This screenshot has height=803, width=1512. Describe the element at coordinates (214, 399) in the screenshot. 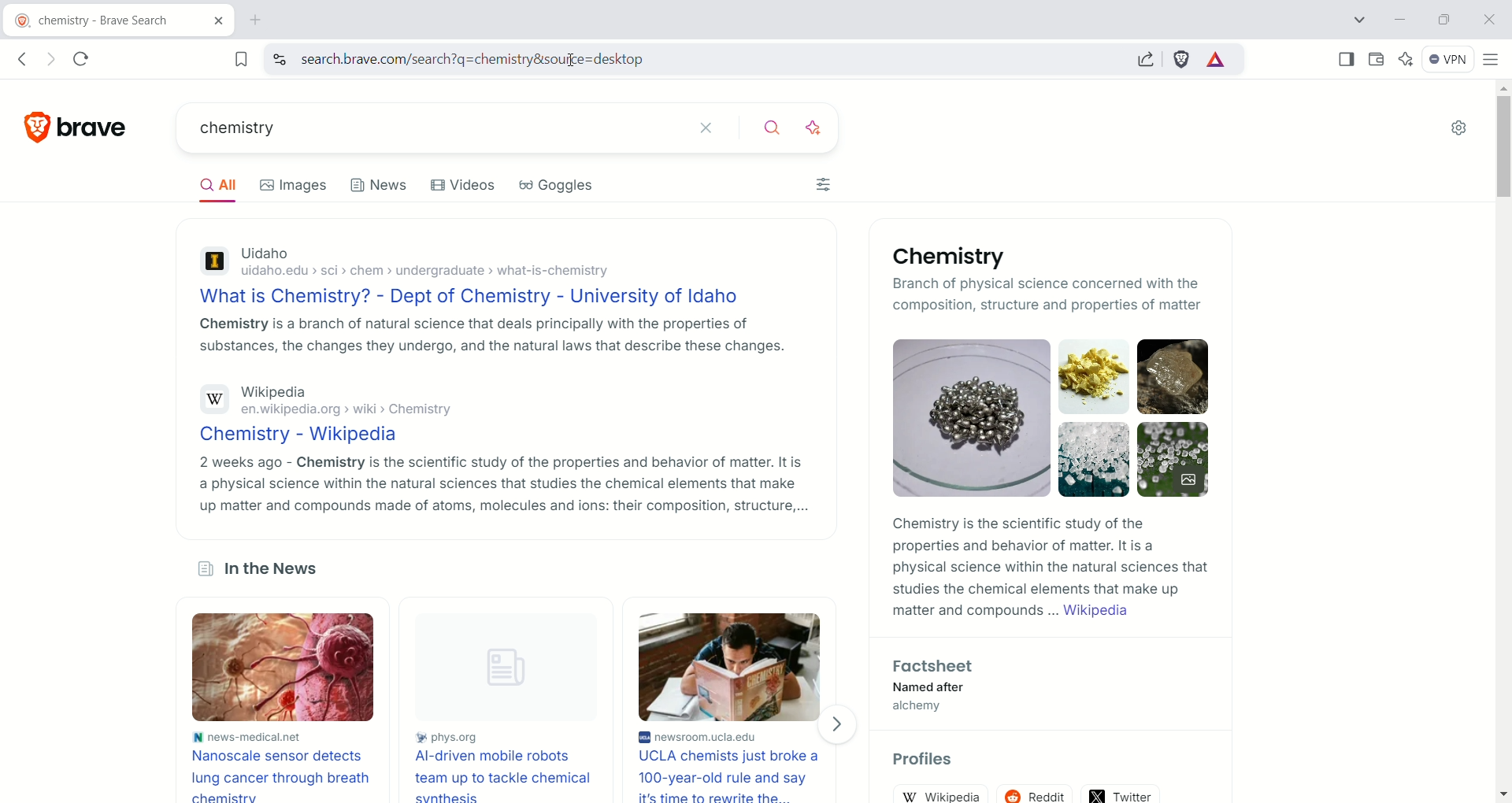

I see `Wikipedia logo` at that location.